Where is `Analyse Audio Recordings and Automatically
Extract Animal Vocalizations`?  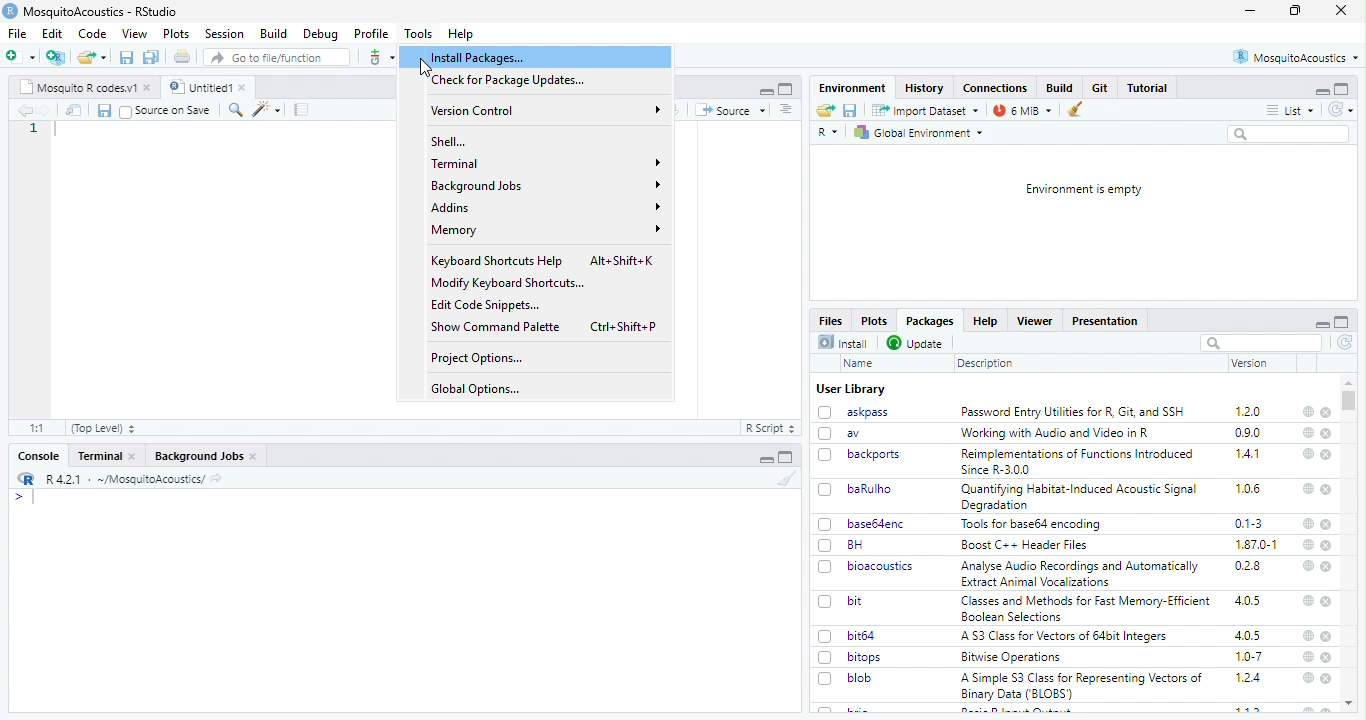
Analyse Audio Recordings and Automatically
Extract Animal Vocalizations is located at coordinates (1082, 573).